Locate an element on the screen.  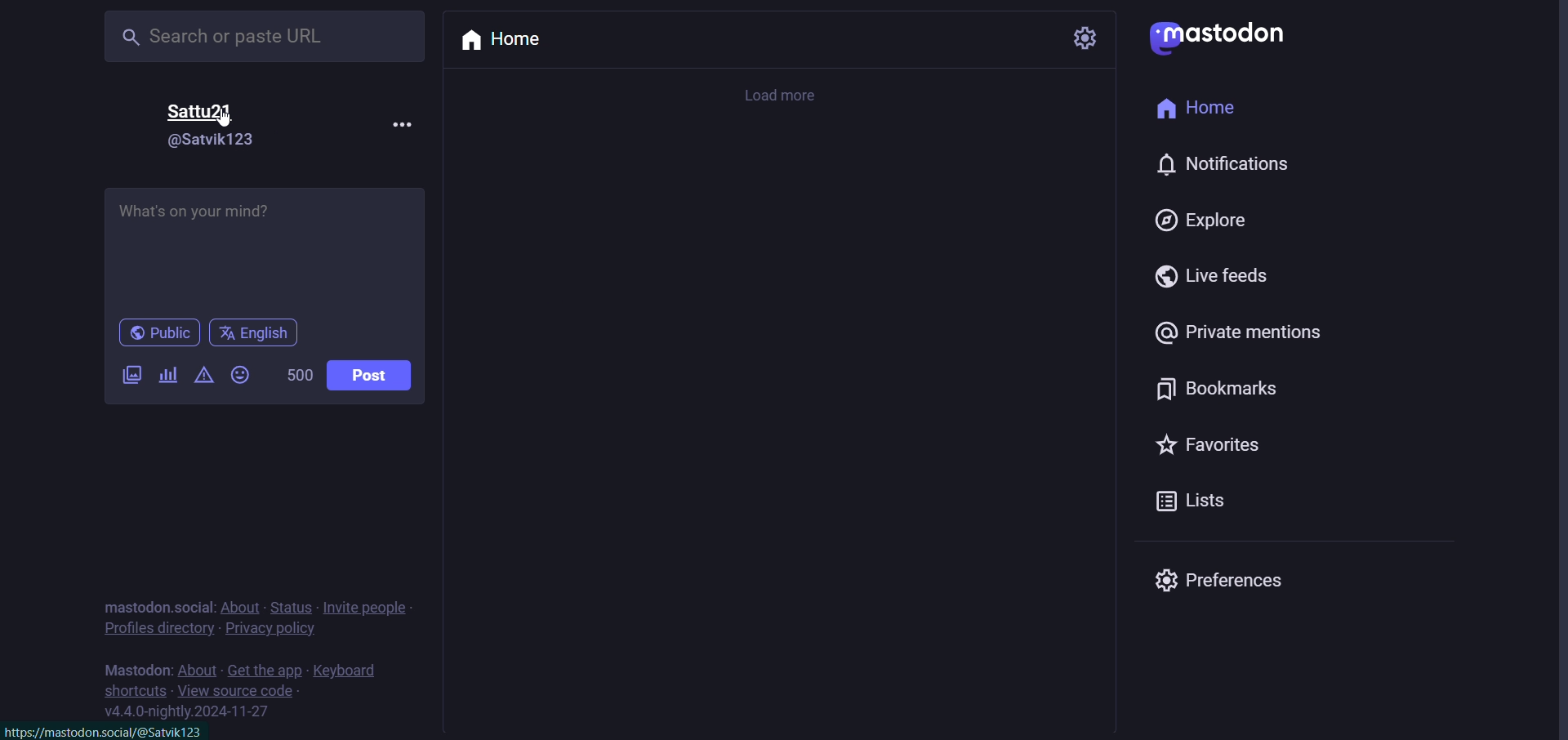
live feeds is located at coordinates (1209, 277).